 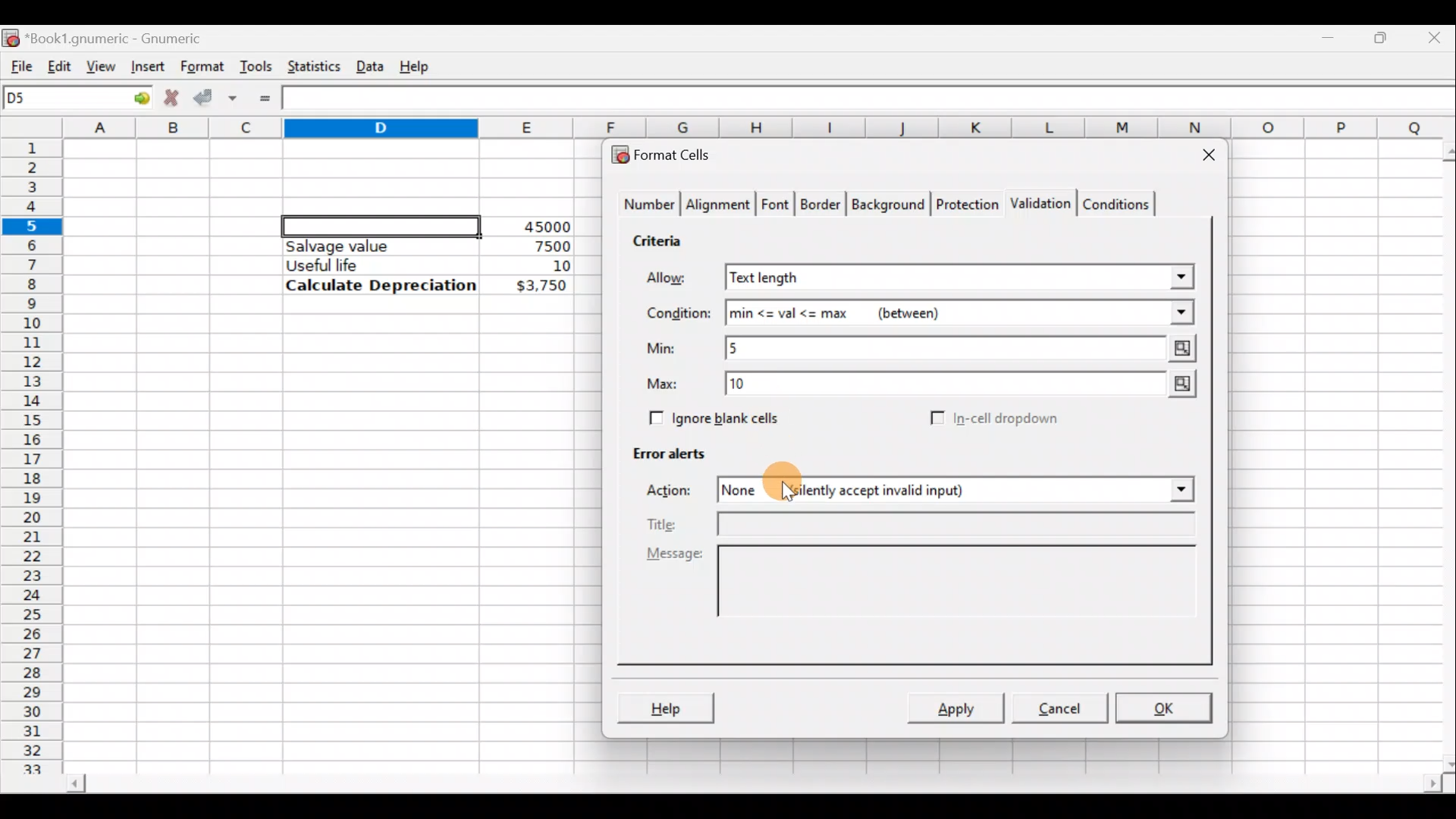 What do you see at coordinates (33, 448) in the screenshot?
I see `Rows` at bounding box center [33, 448].